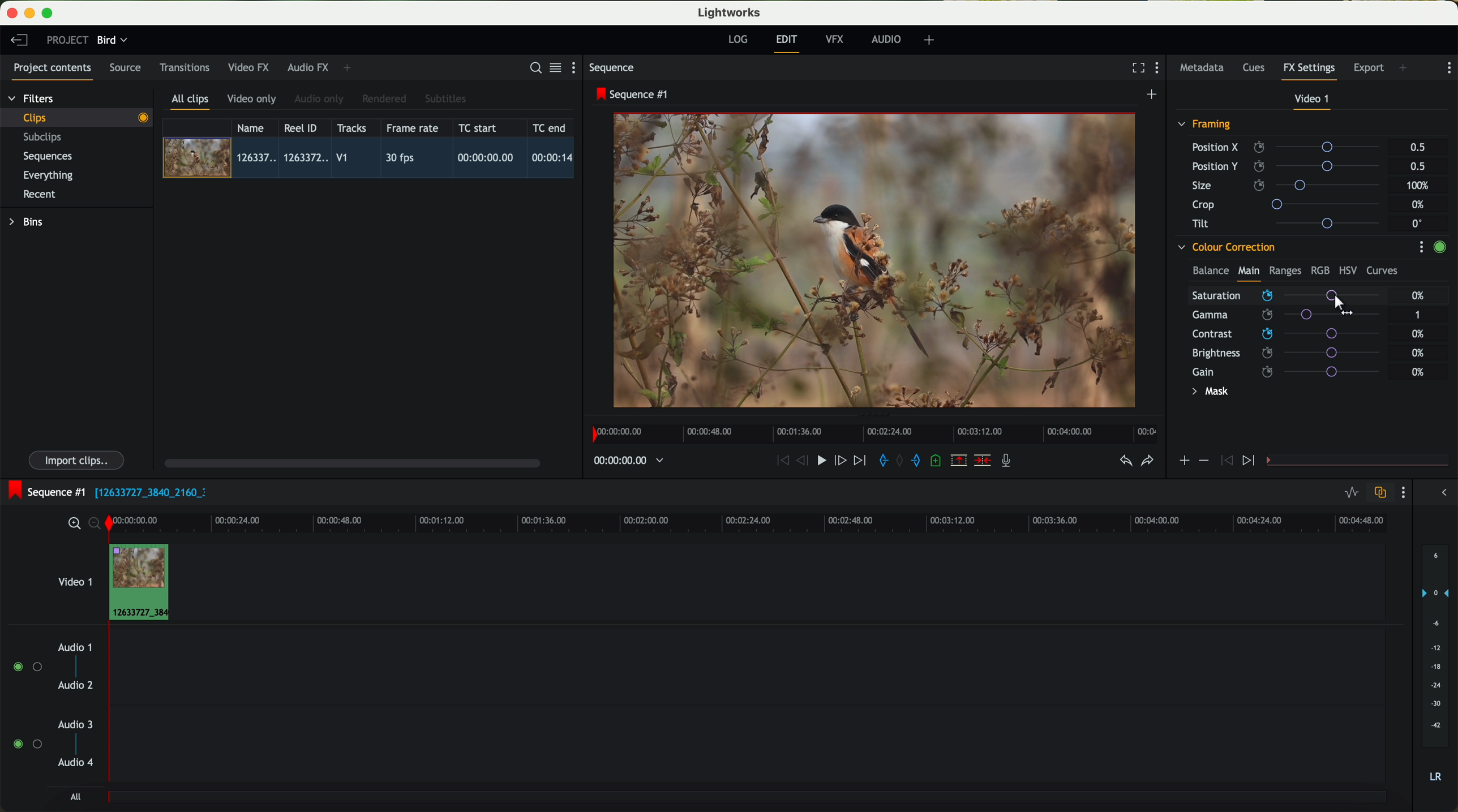 This screenshot has height=812, width=1458. What do you see at coordinates (960, 461) in the screenshot?
I see `remove the marked section` at bounding box center [960, 461].